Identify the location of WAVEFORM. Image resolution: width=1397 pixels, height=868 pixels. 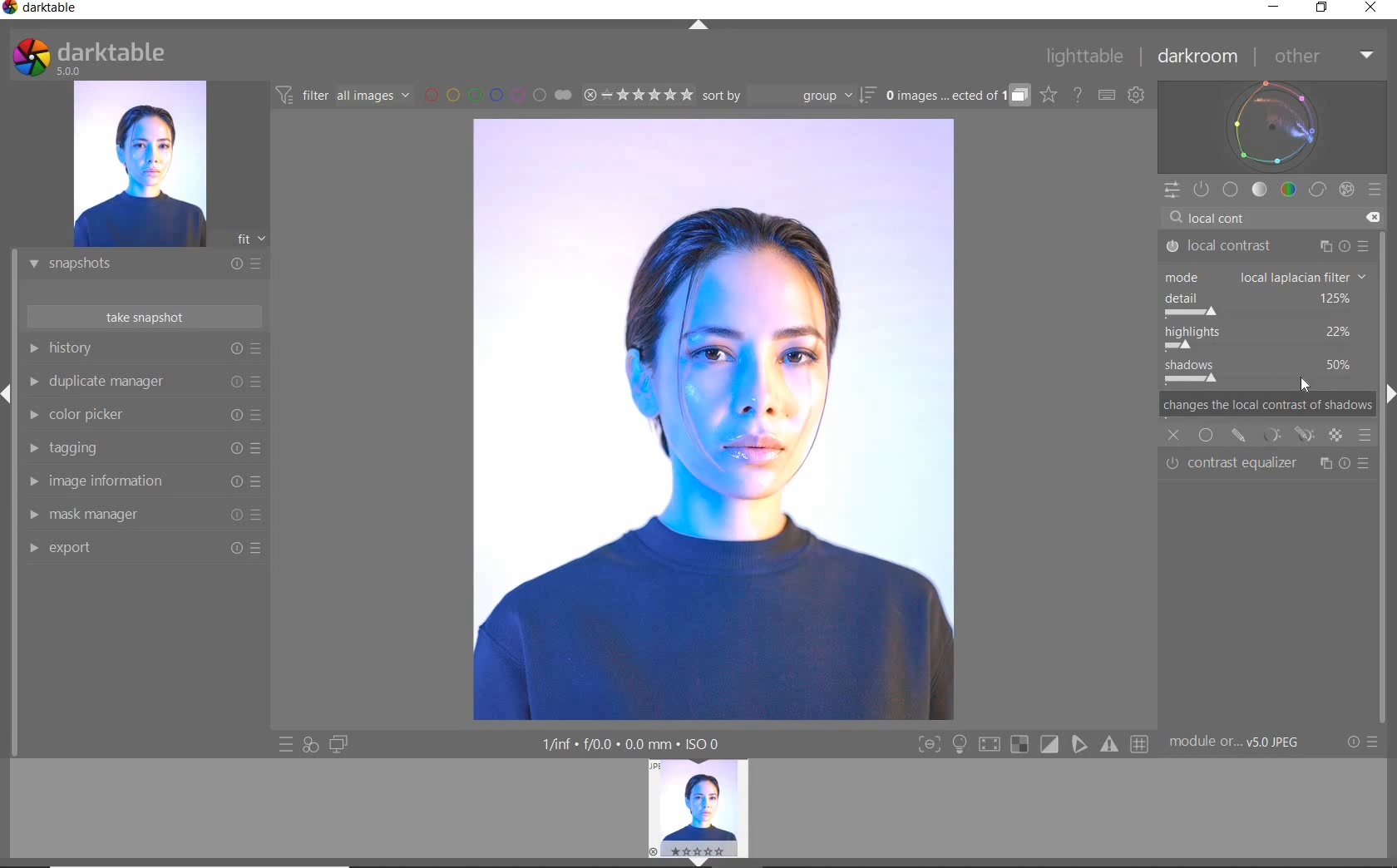
(1272, 126).